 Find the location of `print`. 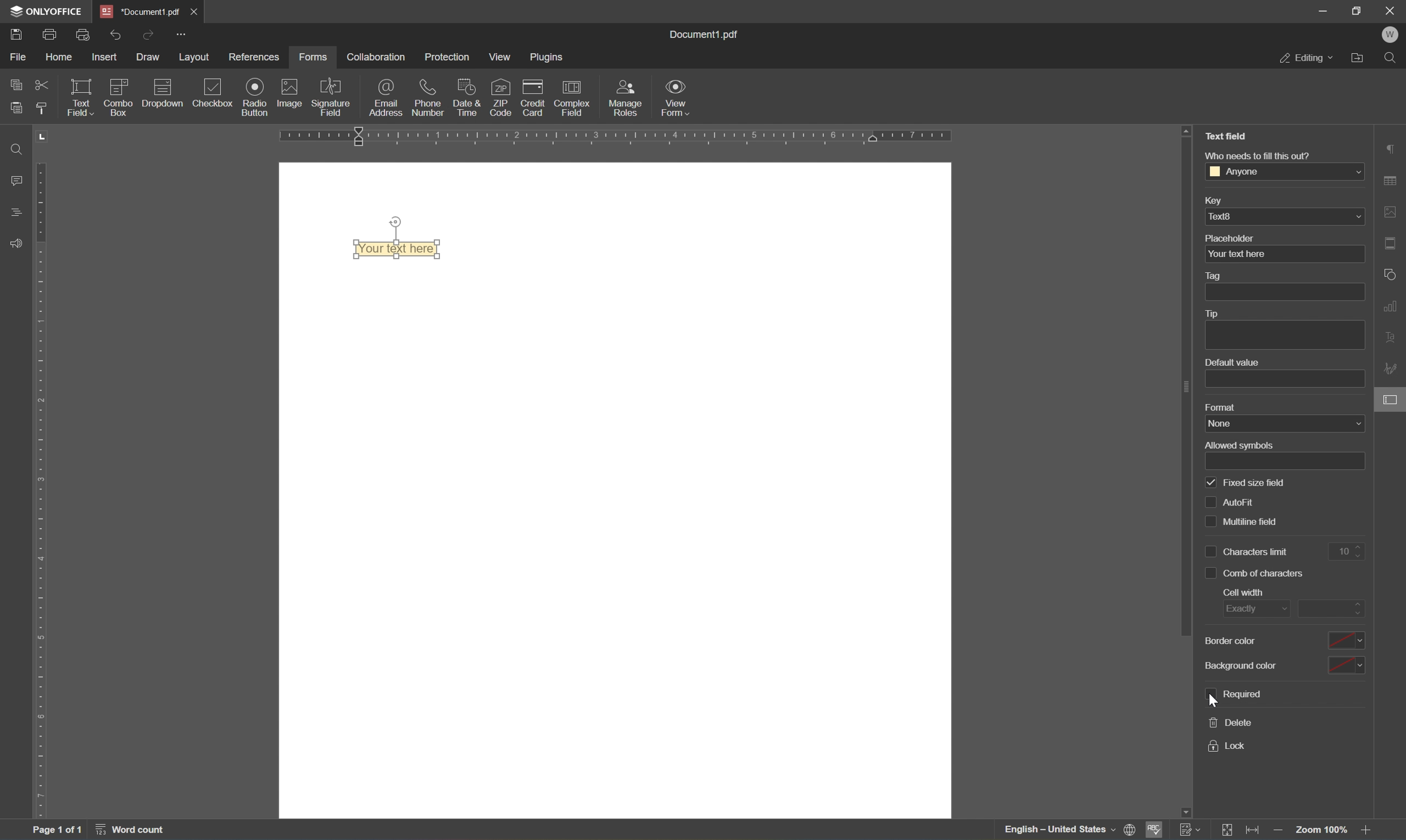

print is located at coordinates (49, 34).